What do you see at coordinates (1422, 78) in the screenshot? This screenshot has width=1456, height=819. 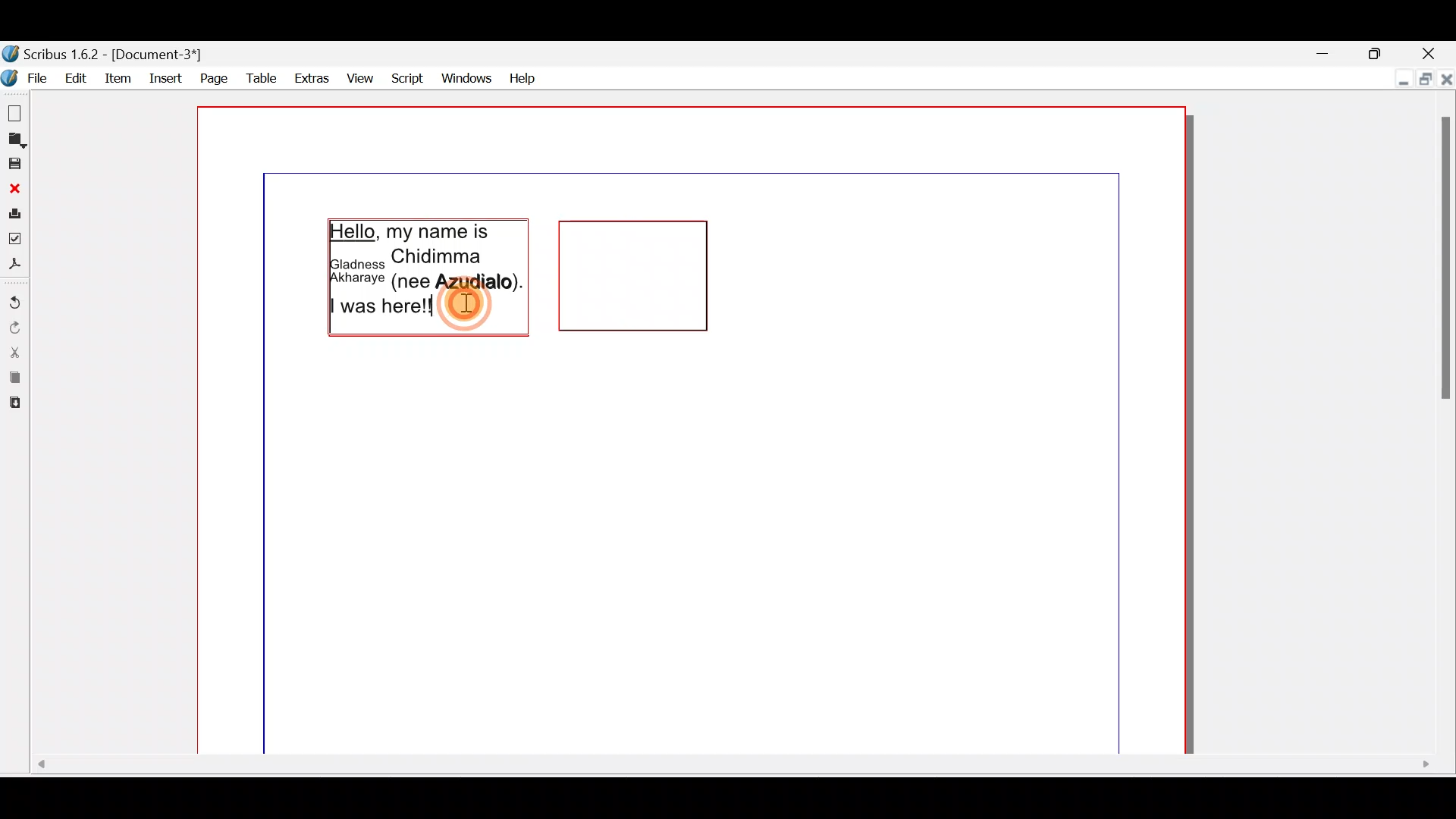 I see `Maximise` at bounding box center [1422, 78].